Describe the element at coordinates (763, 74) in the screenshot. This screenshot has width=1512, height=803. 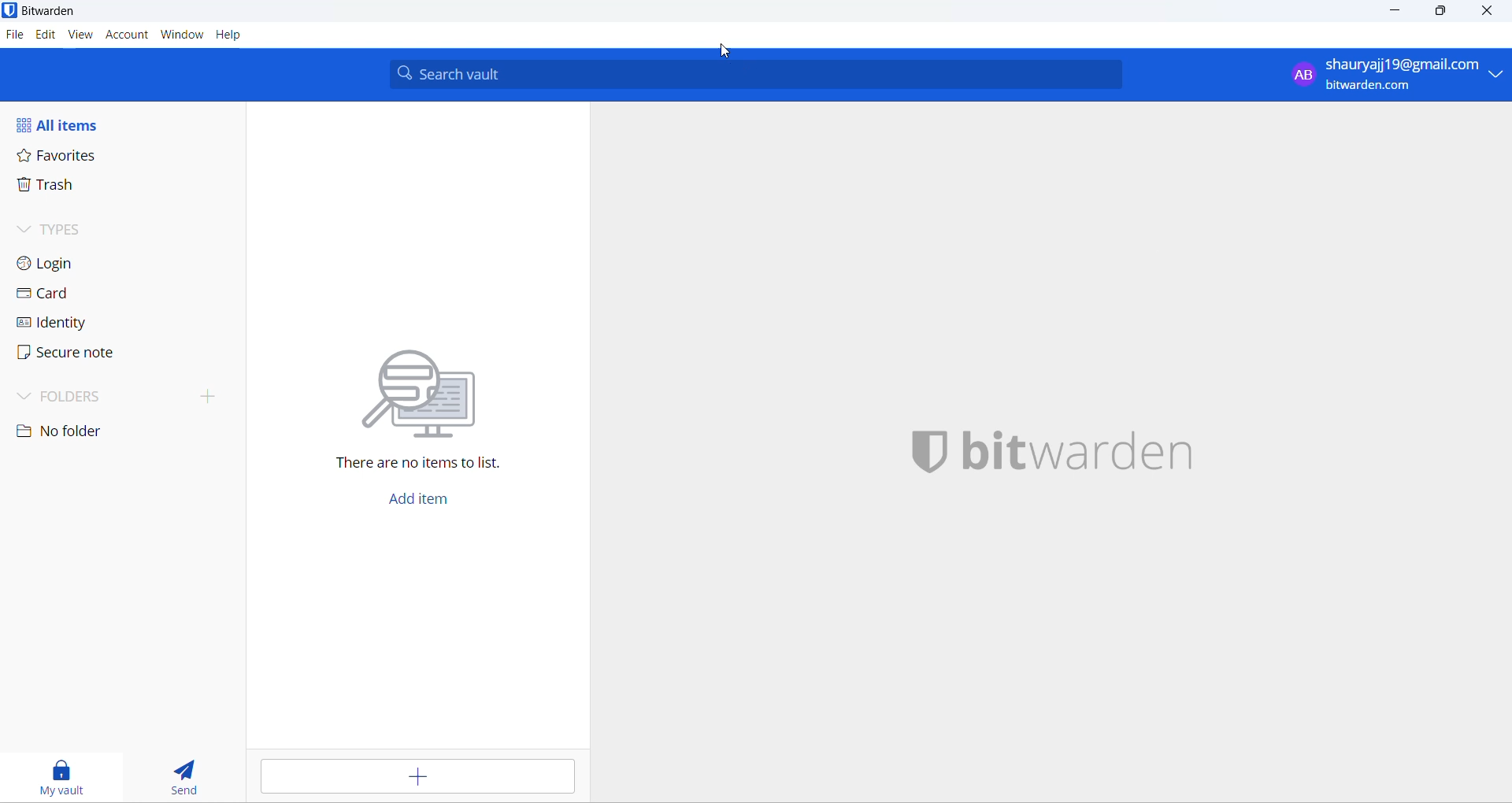
I see `search box` at that location.